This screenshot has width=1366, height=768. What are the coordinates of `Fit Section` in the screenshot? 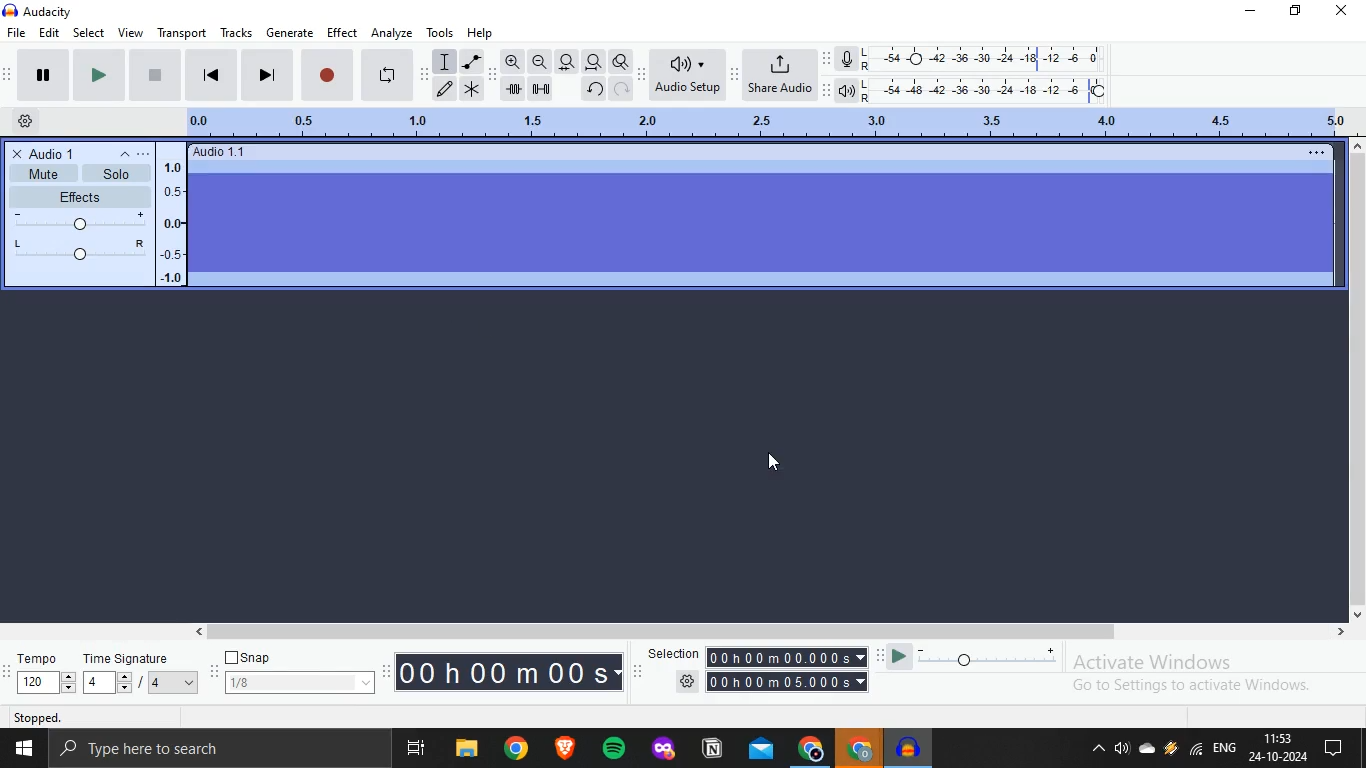 It's located at (567, 62).